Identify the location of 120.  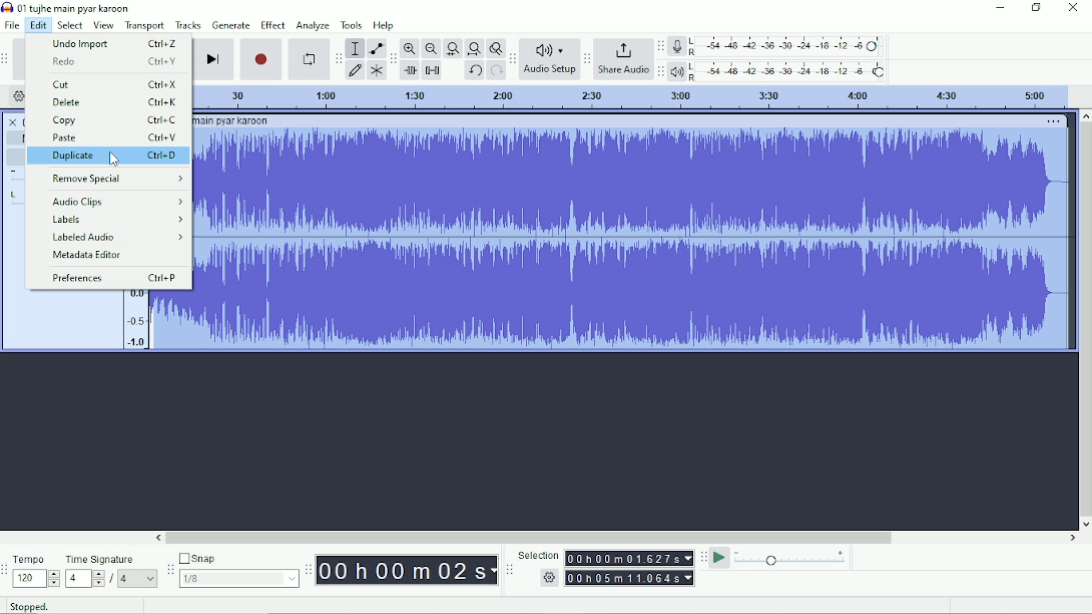
(36, 579).